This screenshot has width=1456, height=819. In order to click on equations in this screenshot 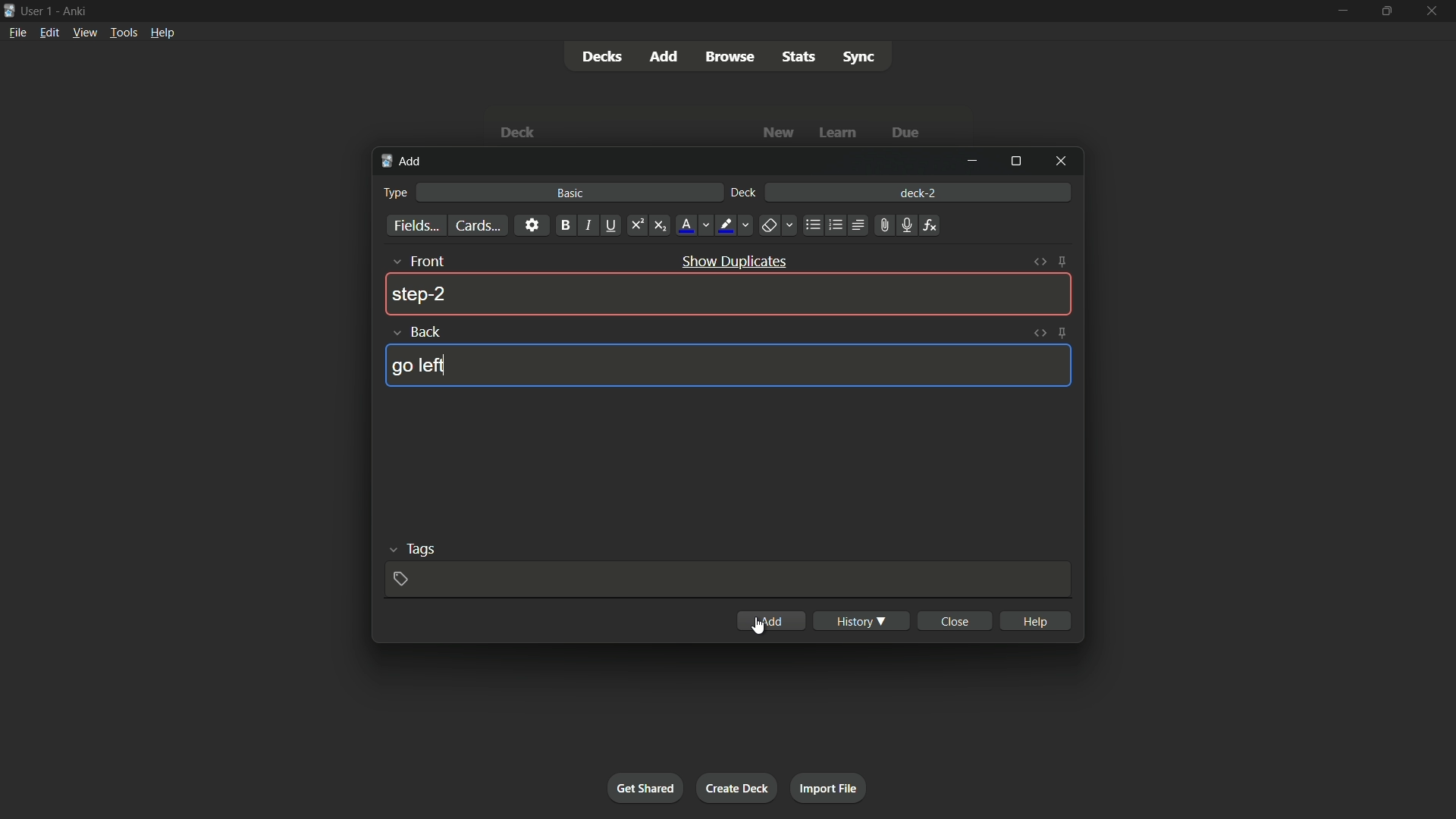, I will do `click(932, 226)`.